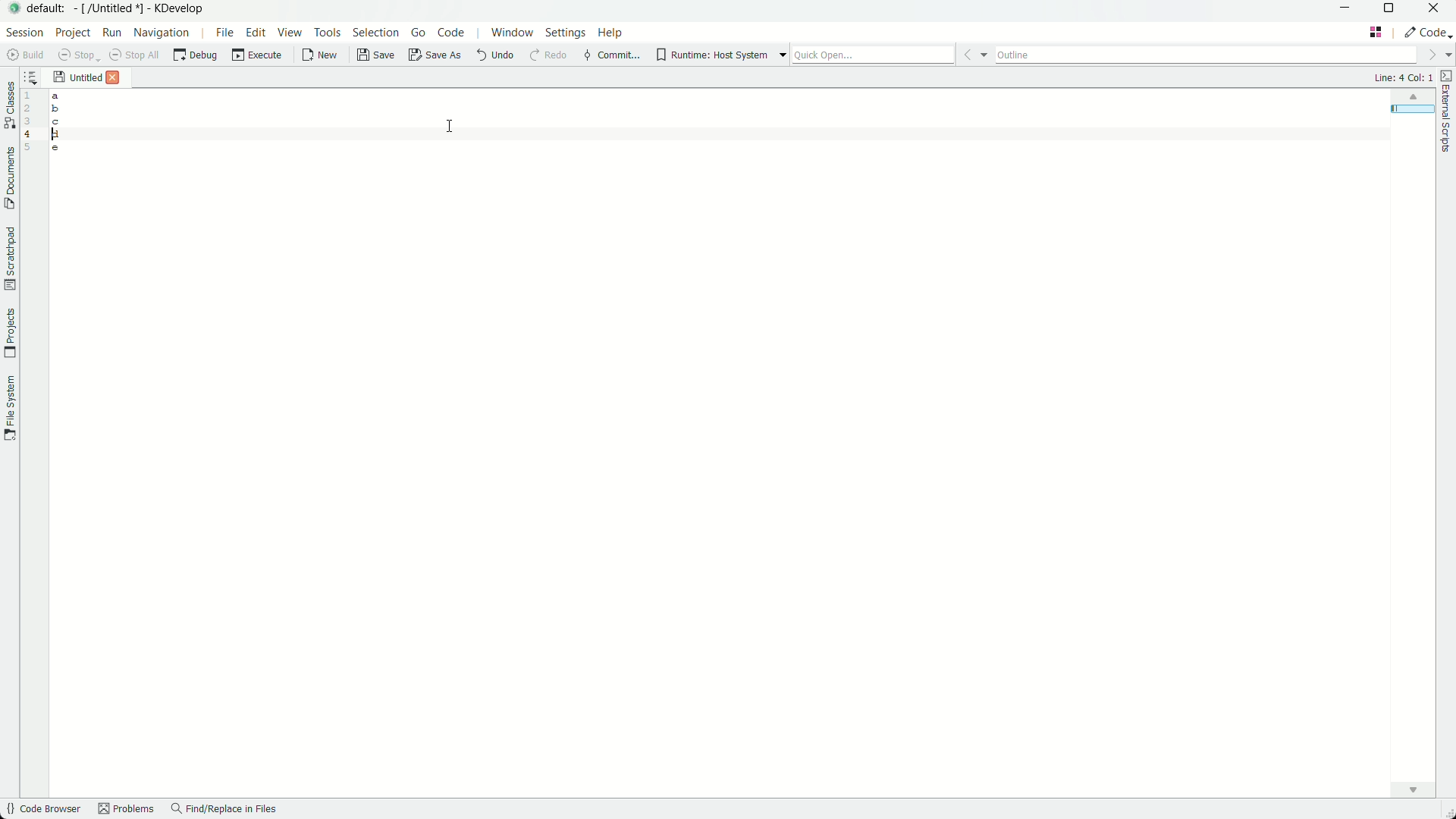 Image resolution: width=1456 pixels, height=819 pixels. What do you see at coordinates (1400, 77) in the screenshot?
I see `Line: 4 Col: 1` at bounding box center [1400, 77].